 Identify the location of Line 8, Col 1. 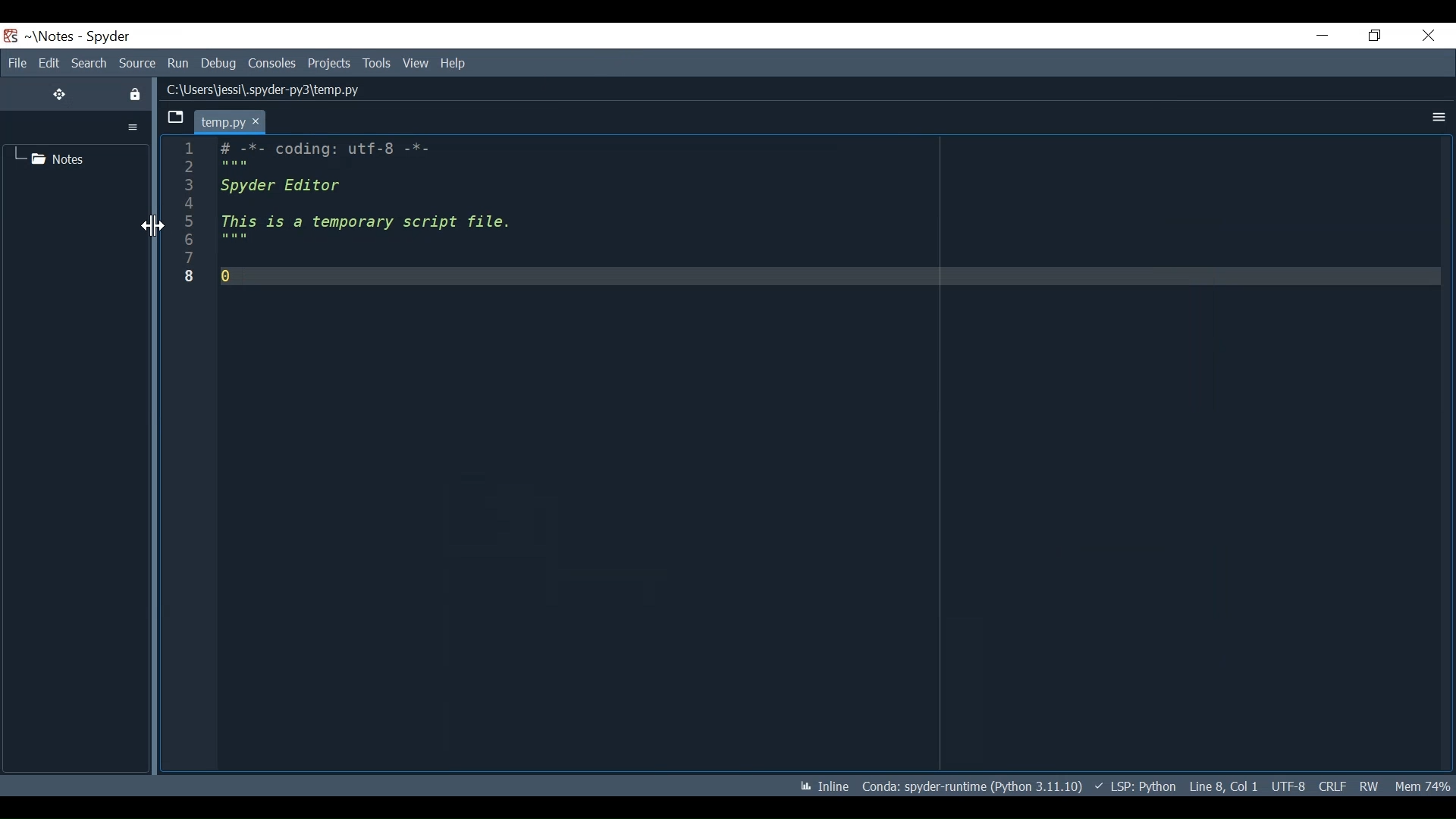
(1222, 786).